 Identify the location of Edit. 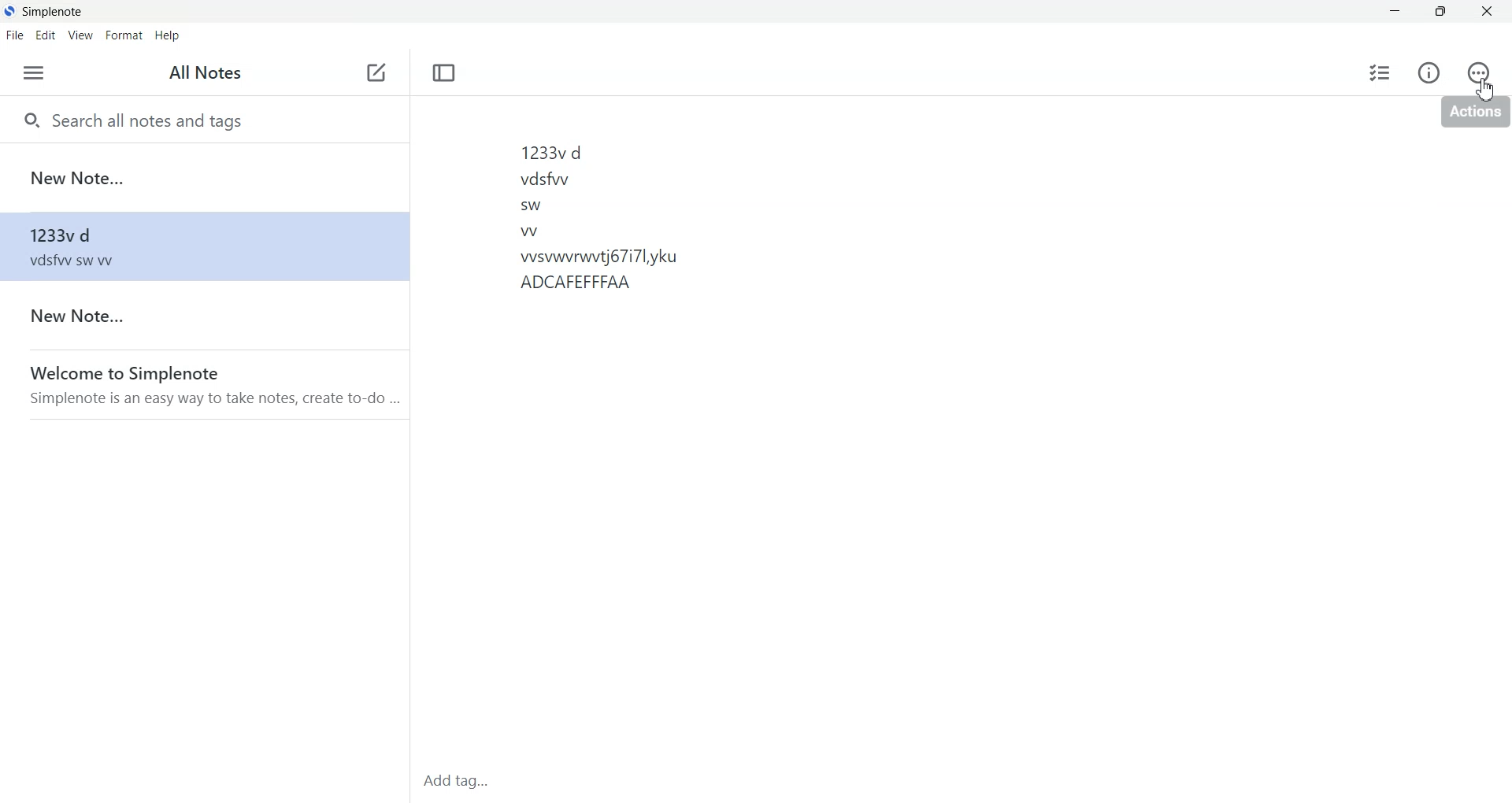
(46, 35).